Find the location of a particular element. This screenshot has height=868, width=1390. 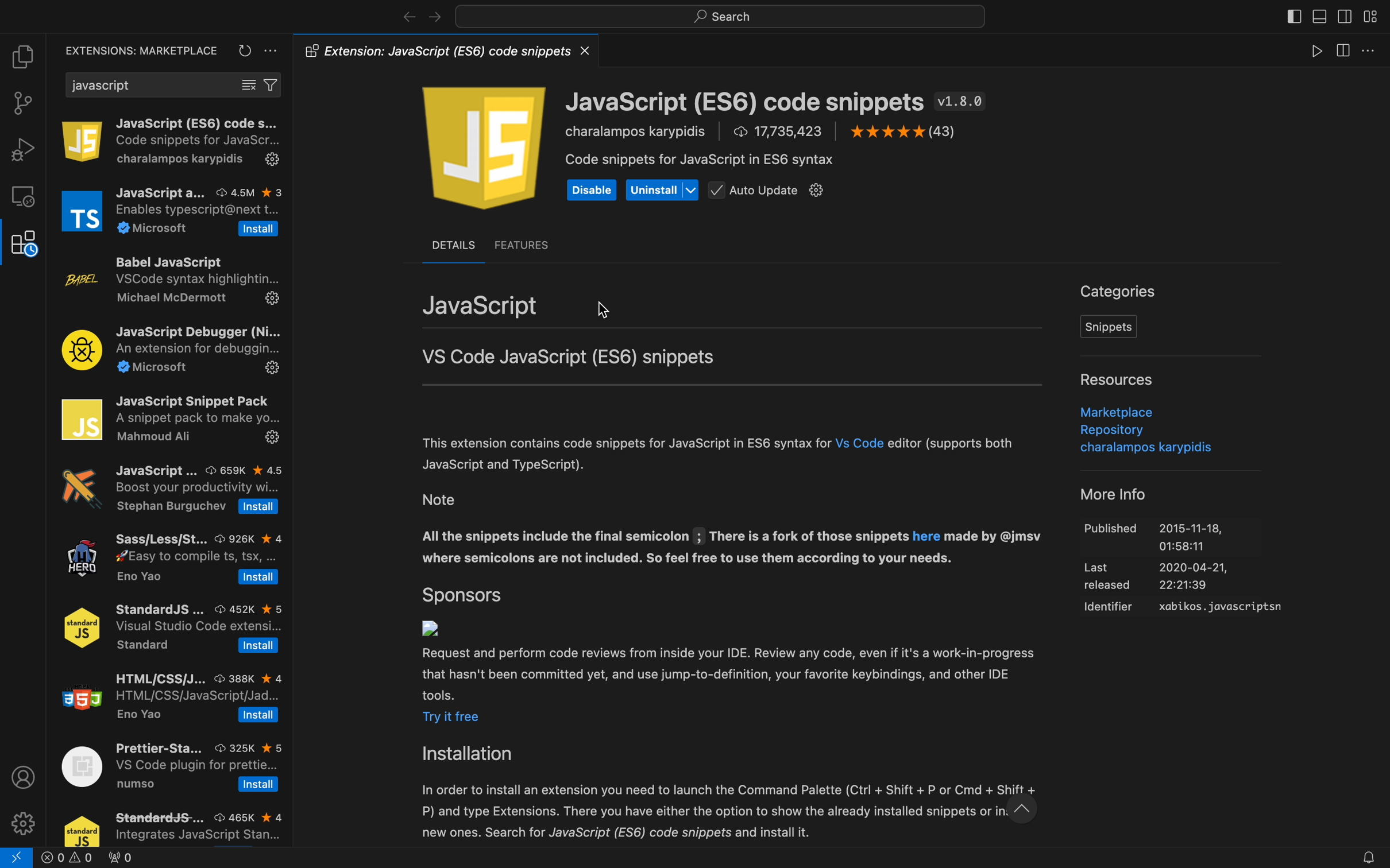

StandarddS-... © 465K kx 4
Integrates JavaScript Stan... is located at coordinates (172, 823).